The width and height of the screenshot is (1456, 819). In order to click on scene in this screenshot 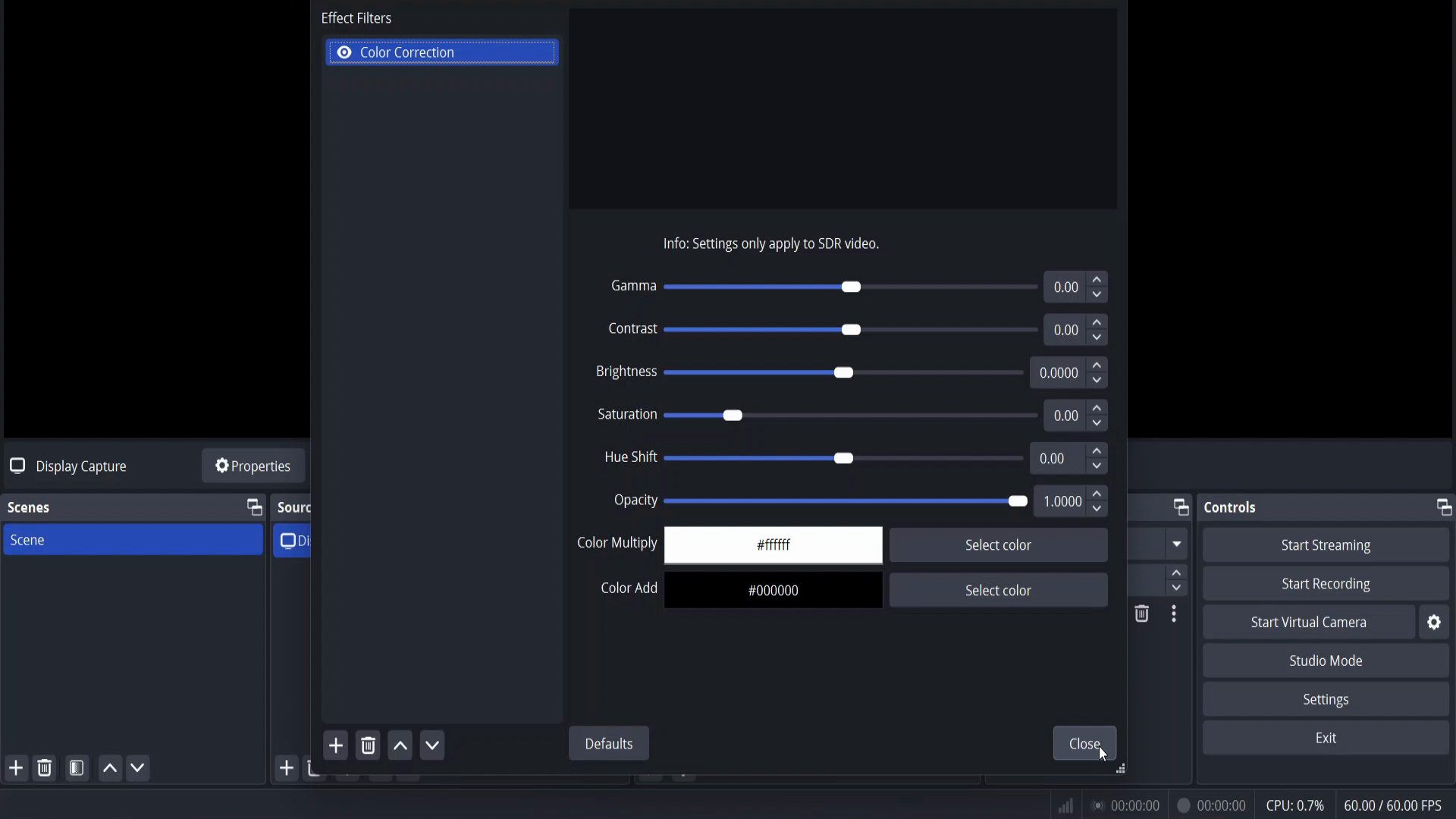, I will do `click(28, 541)`.